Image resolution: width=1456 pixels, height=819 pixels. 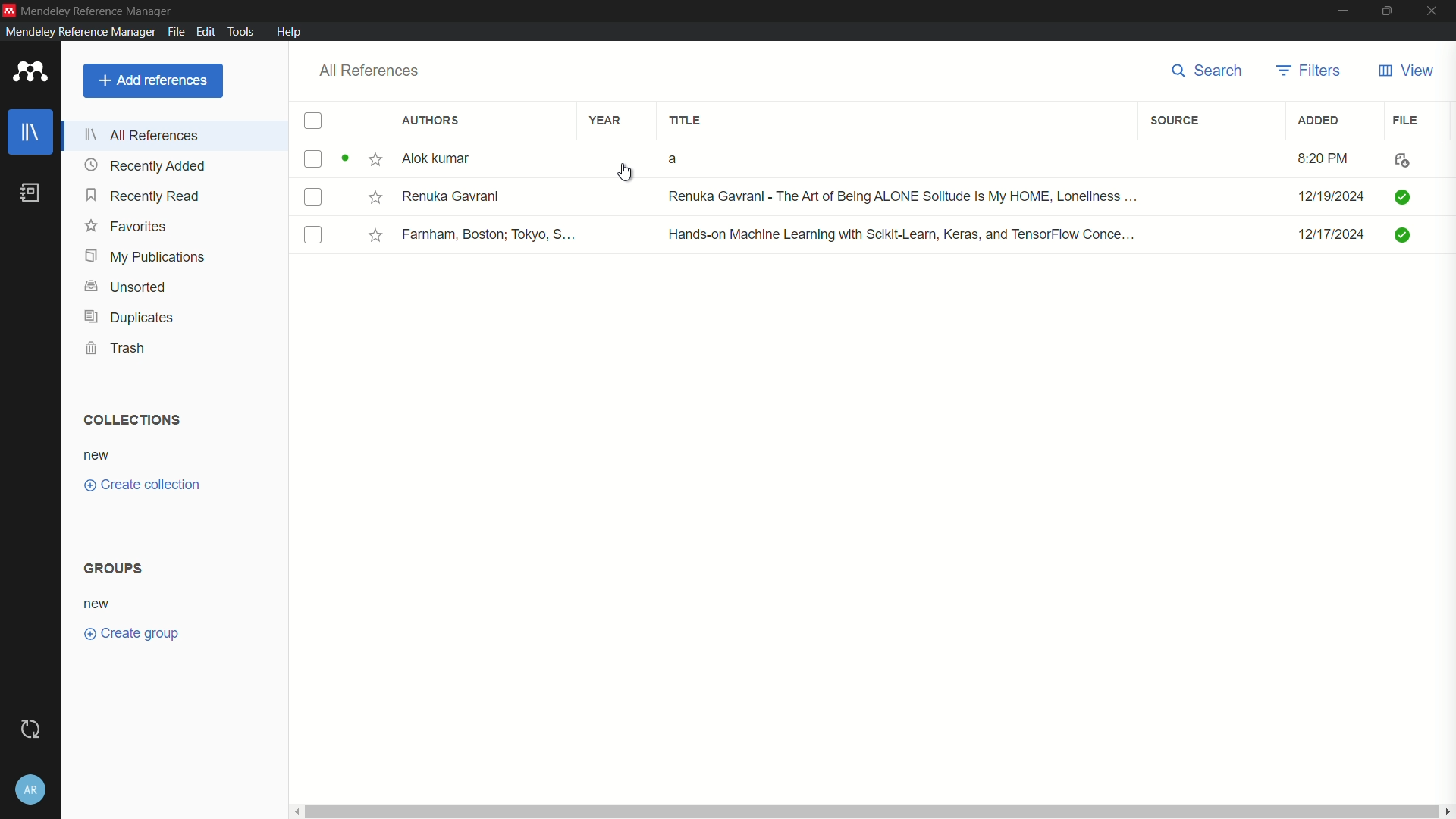 I want to click on sync, so click(x=33, y=730).